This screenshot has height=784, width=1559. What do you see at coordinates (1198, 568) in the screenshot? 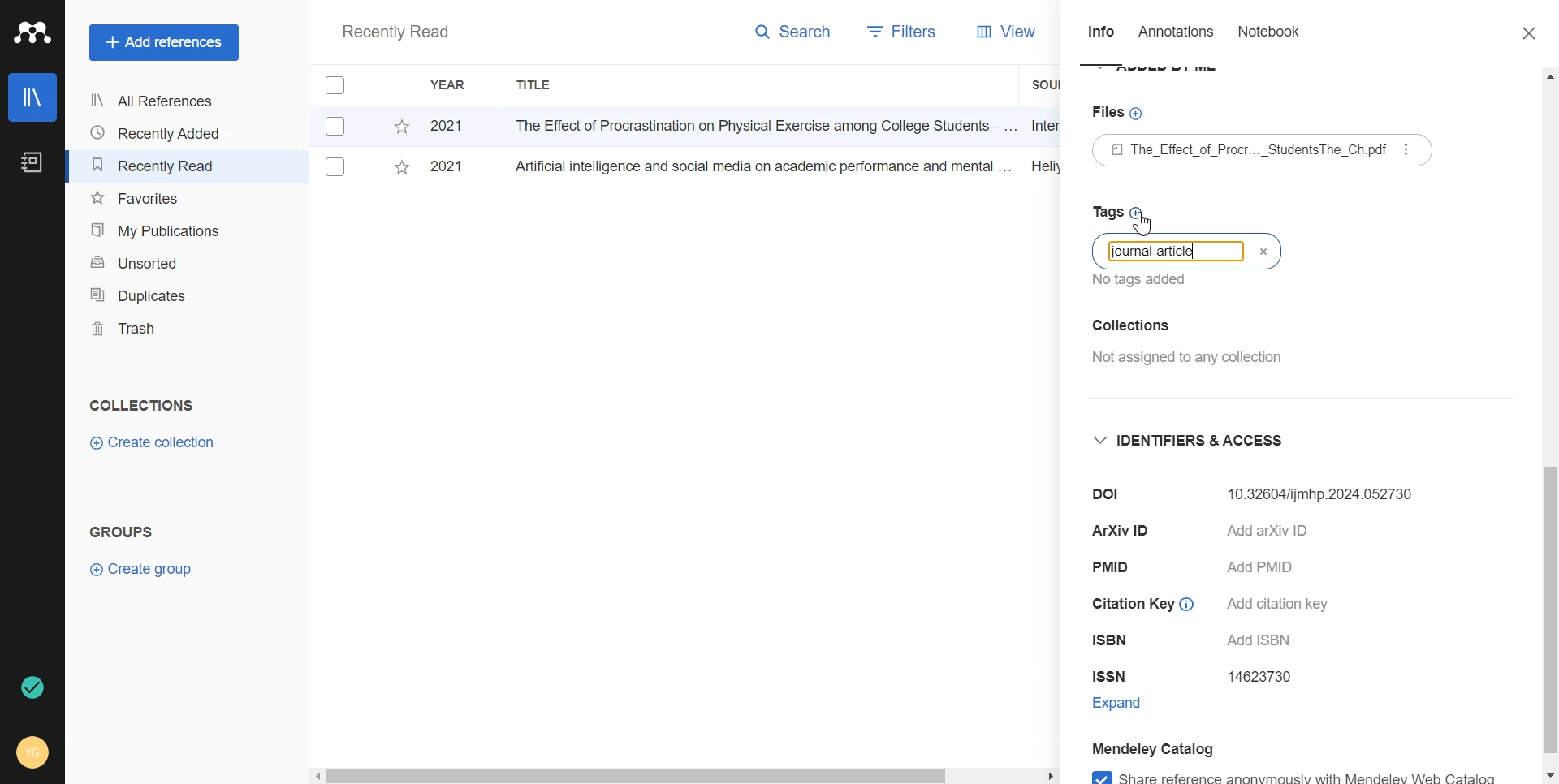
I see `PMID Add PMID` at bounding box center [1198, 568].